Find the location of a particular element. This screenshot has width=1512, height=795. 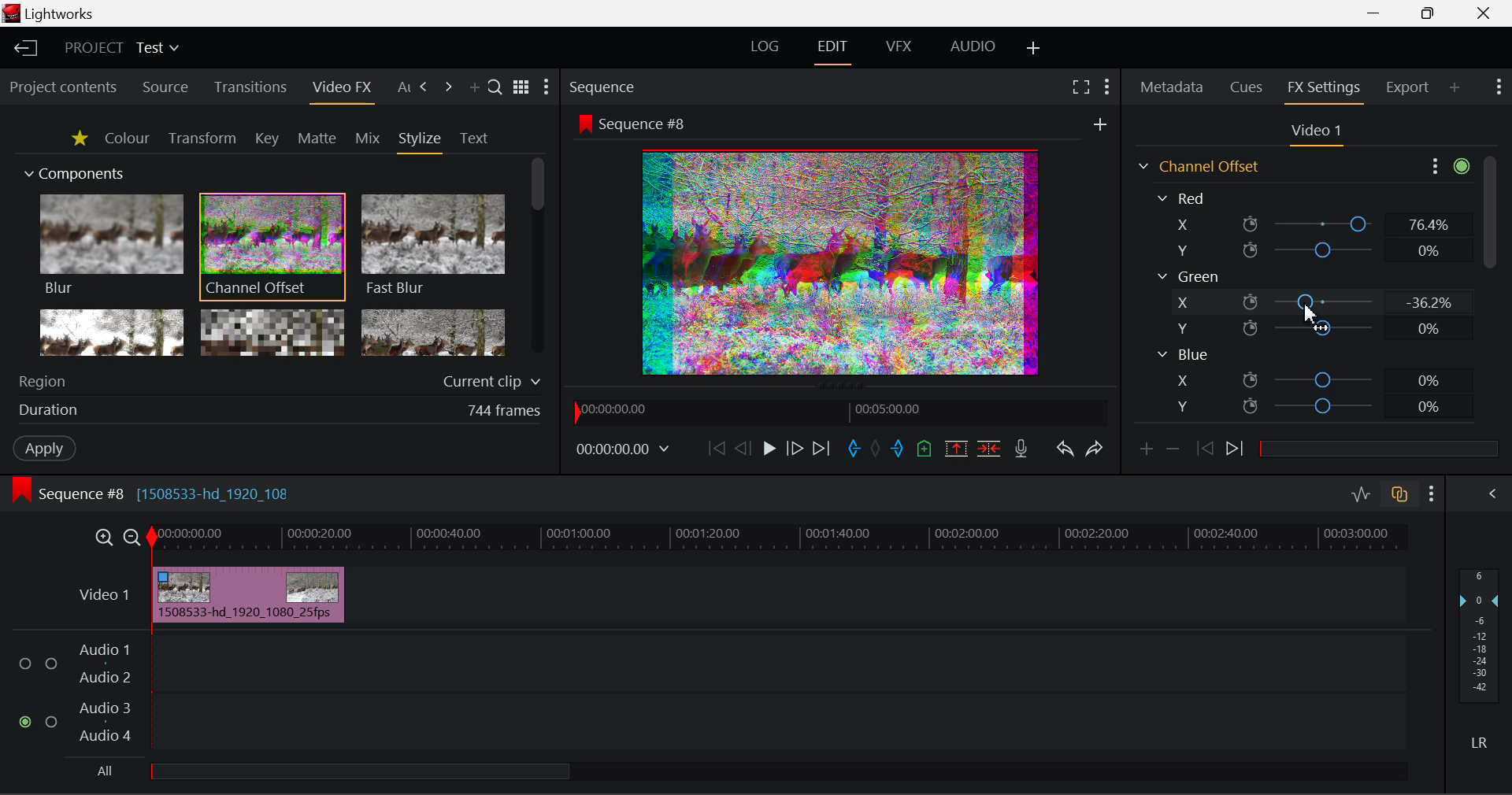

Decibel Level is located at coordinates (1480, 657).